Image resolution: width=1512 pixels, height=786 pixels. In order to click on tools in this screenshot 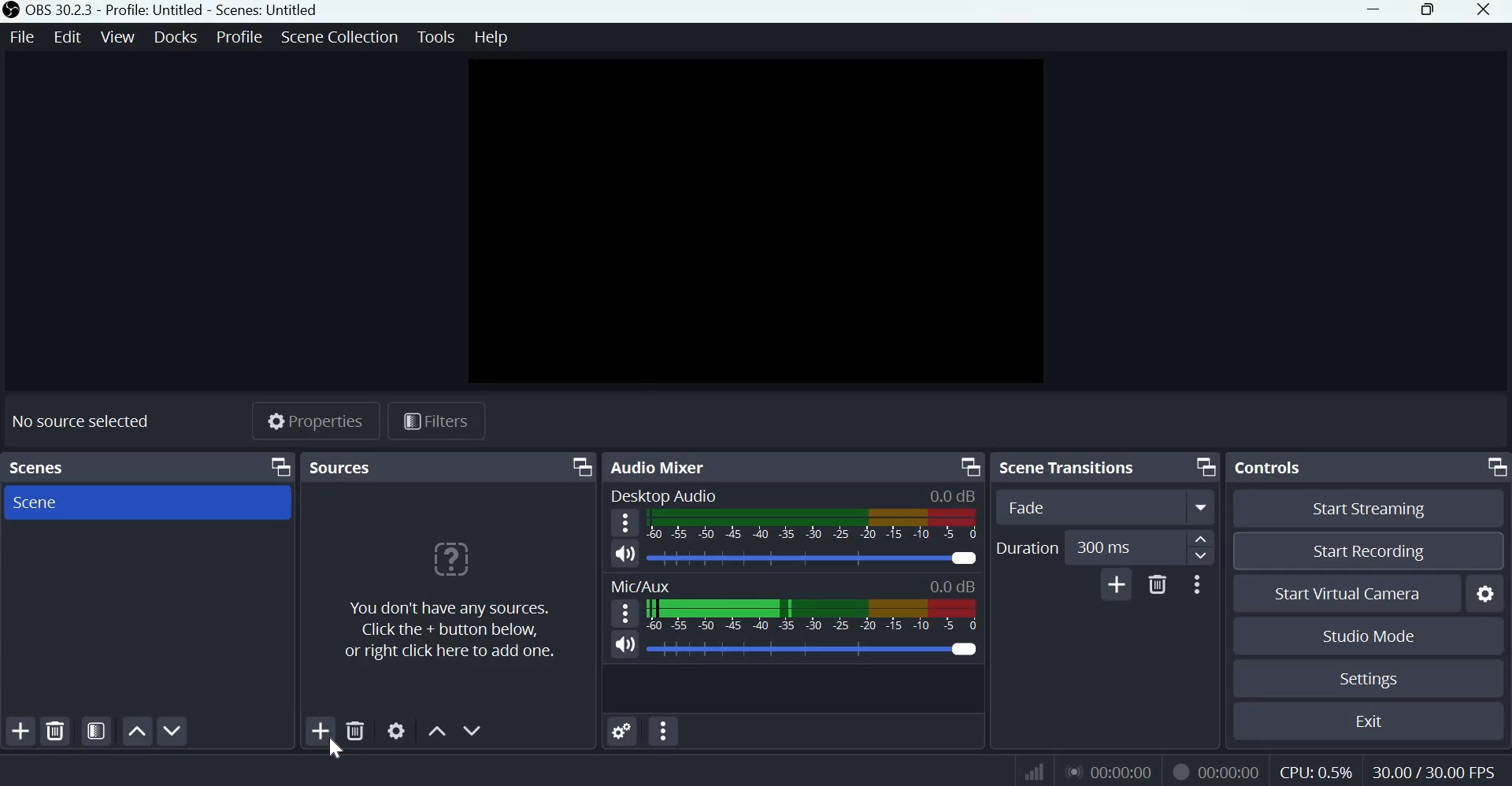, I will do `click(437, 36)`.